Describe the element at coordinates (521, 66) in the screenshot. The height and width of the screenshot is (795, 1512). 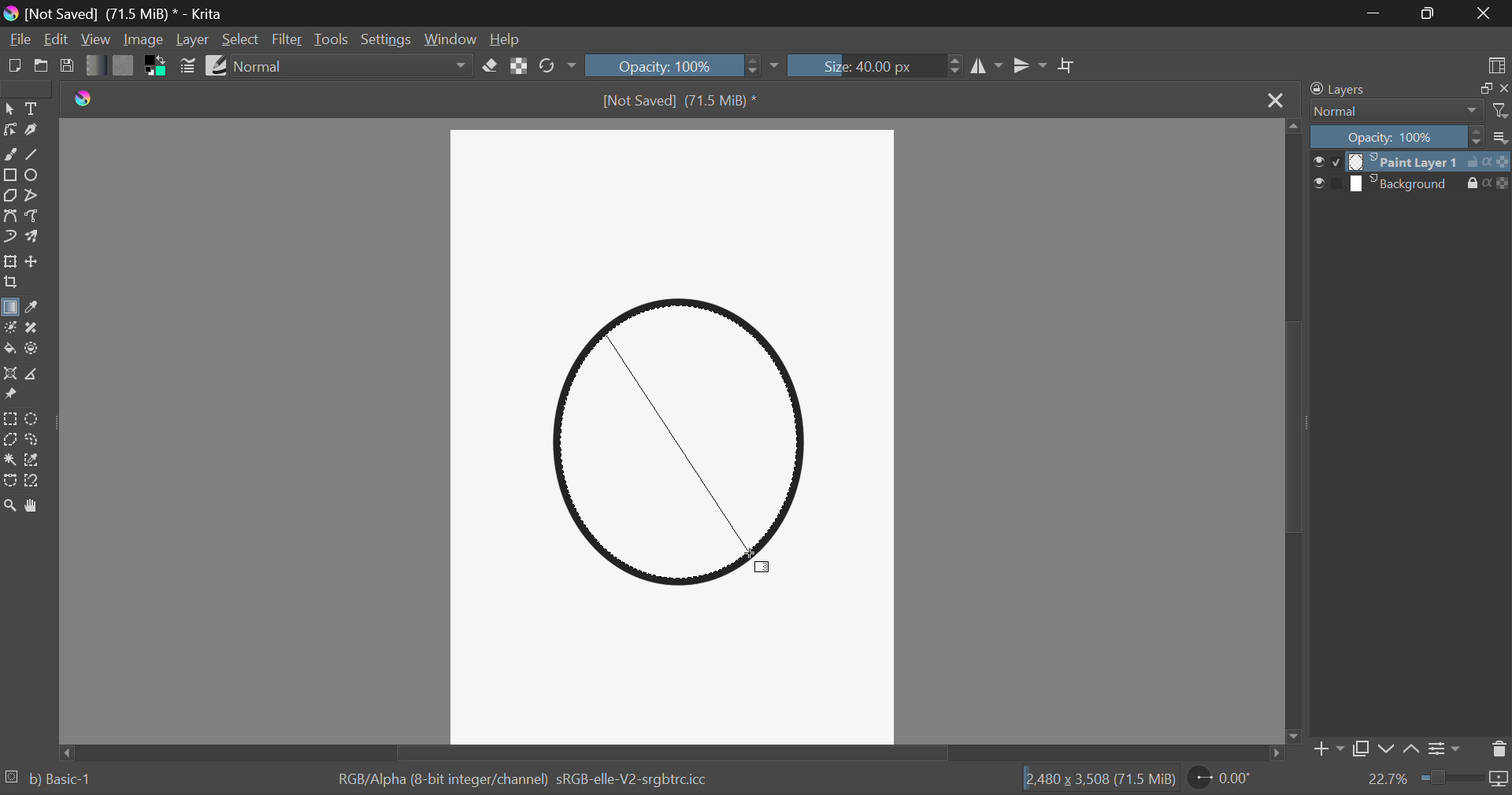
I see `Lock Alpha` at that location.